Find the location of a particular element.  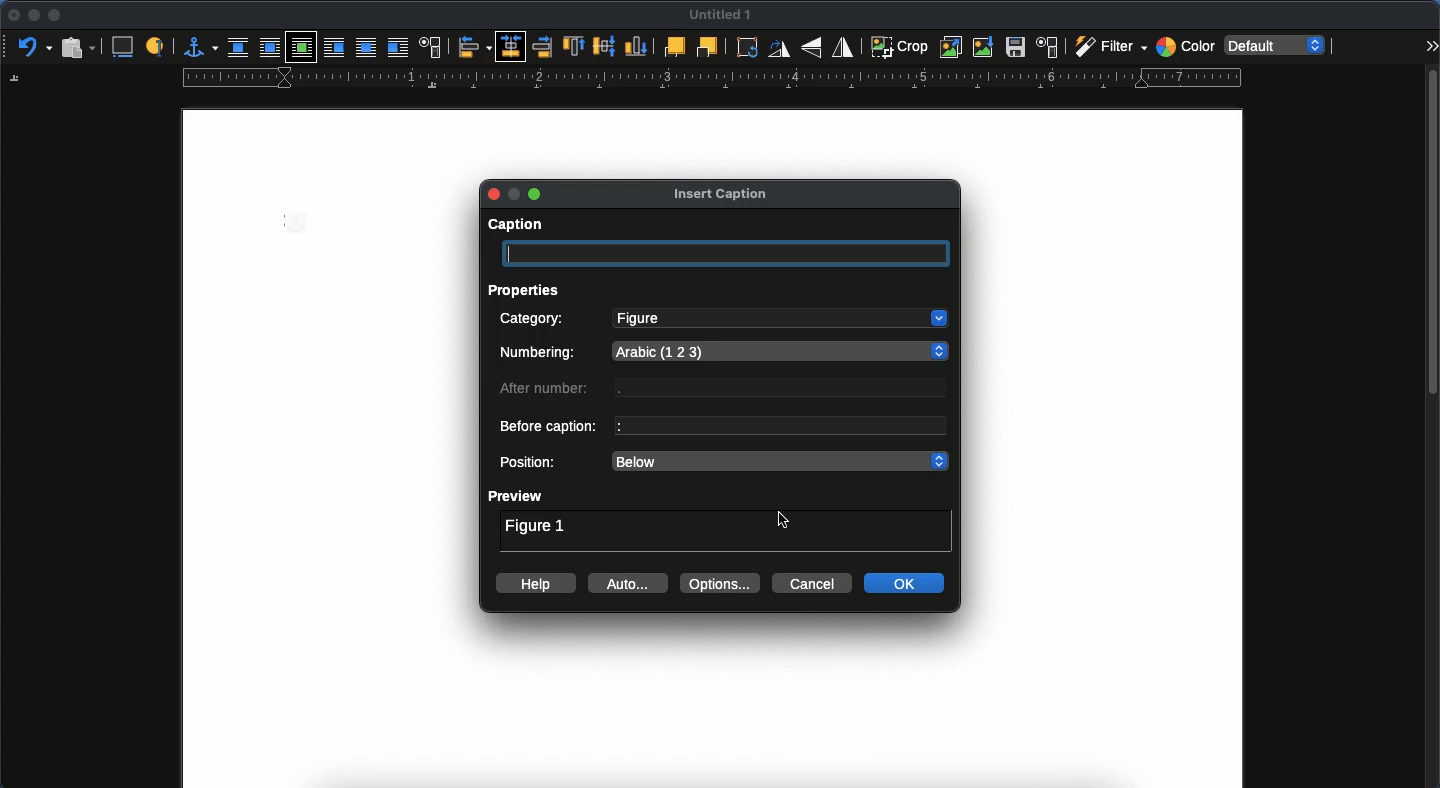

guide is located at coordinates (713, 78).